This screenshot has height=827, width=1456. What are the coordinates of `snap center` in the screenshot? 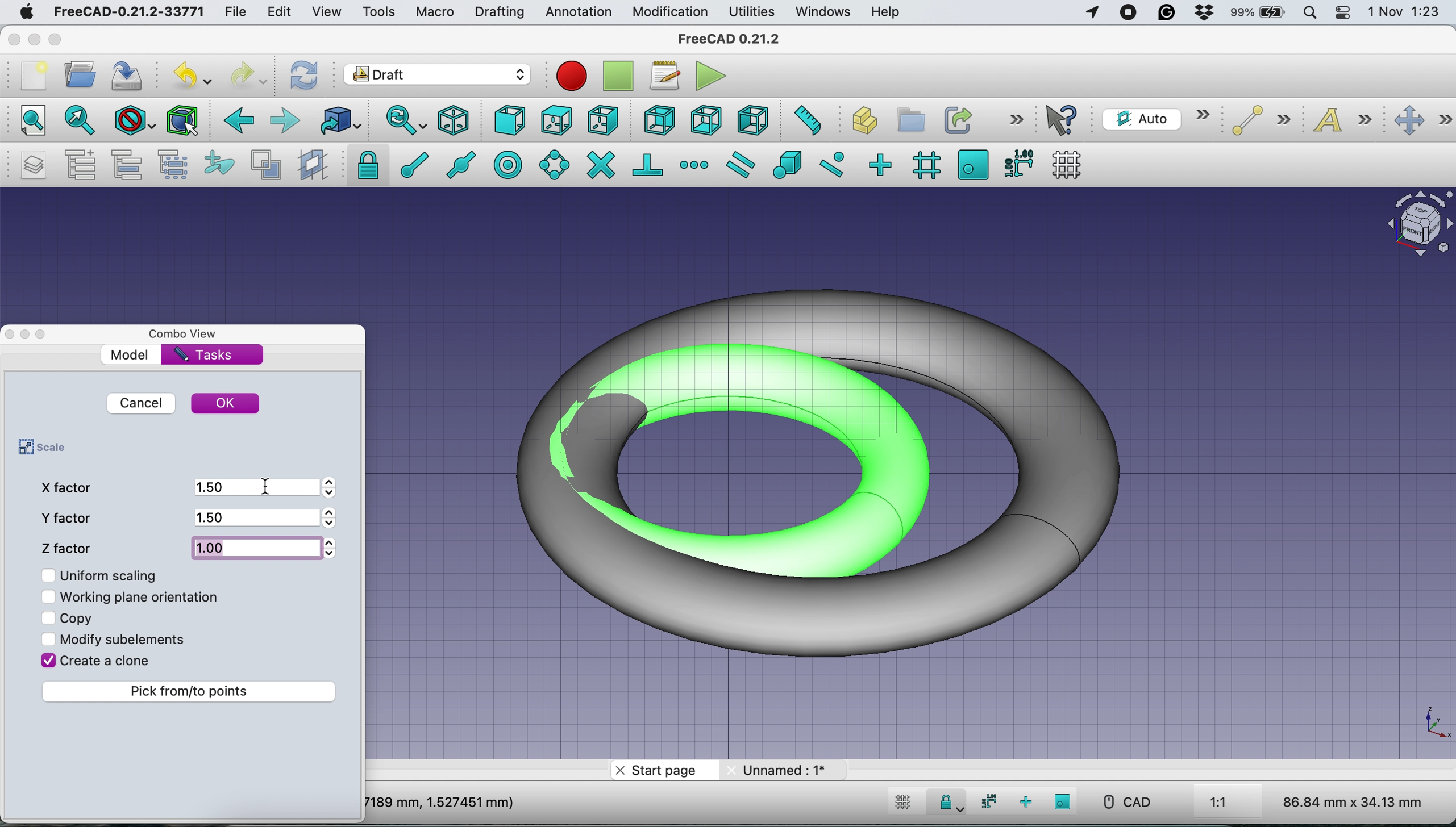 It's located at (509, 164).